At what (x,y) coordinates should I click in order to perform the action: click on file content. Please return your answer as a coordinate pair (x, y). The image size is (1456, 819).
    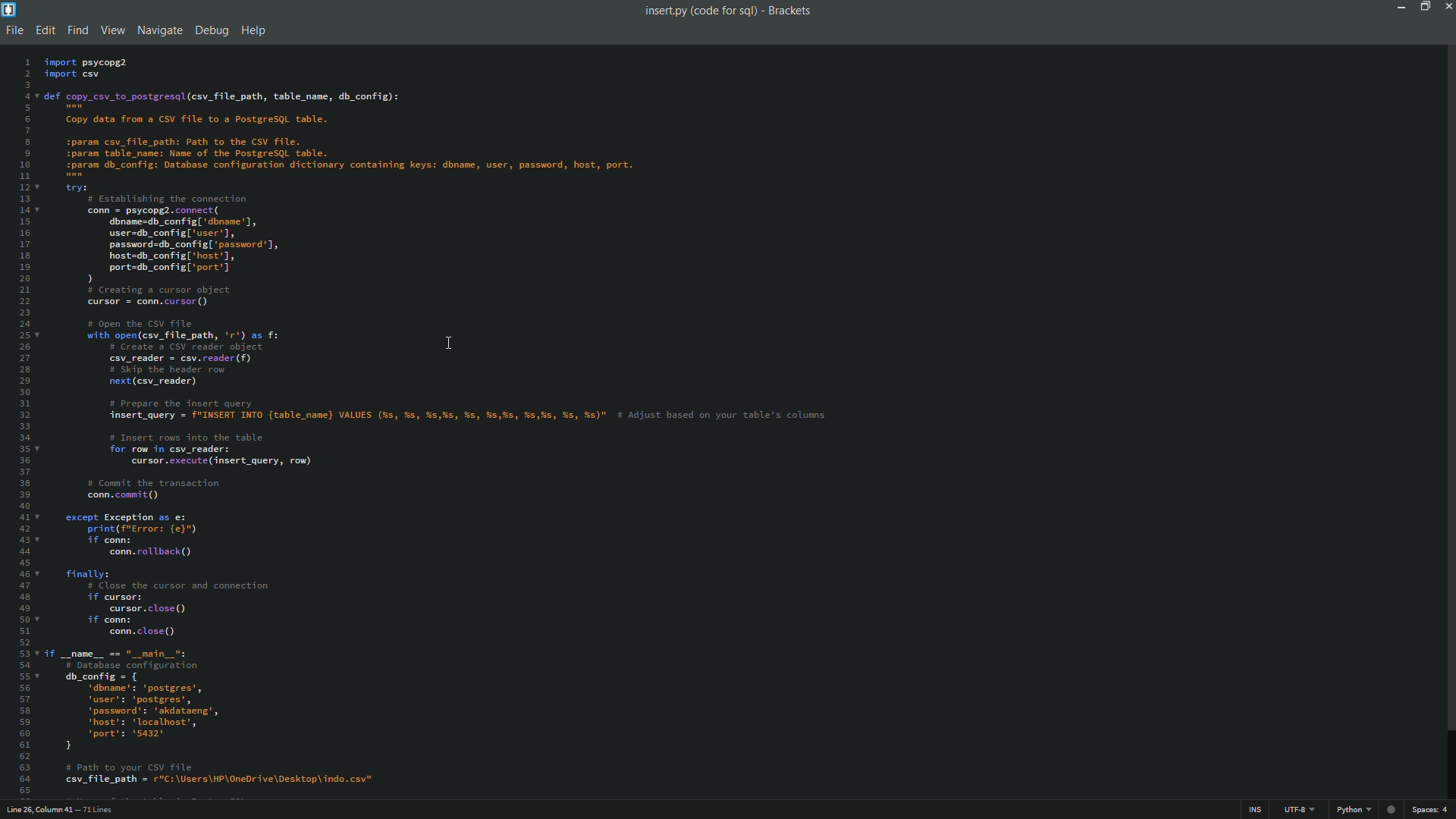
    Looking at the image, I should click on (435, 426).